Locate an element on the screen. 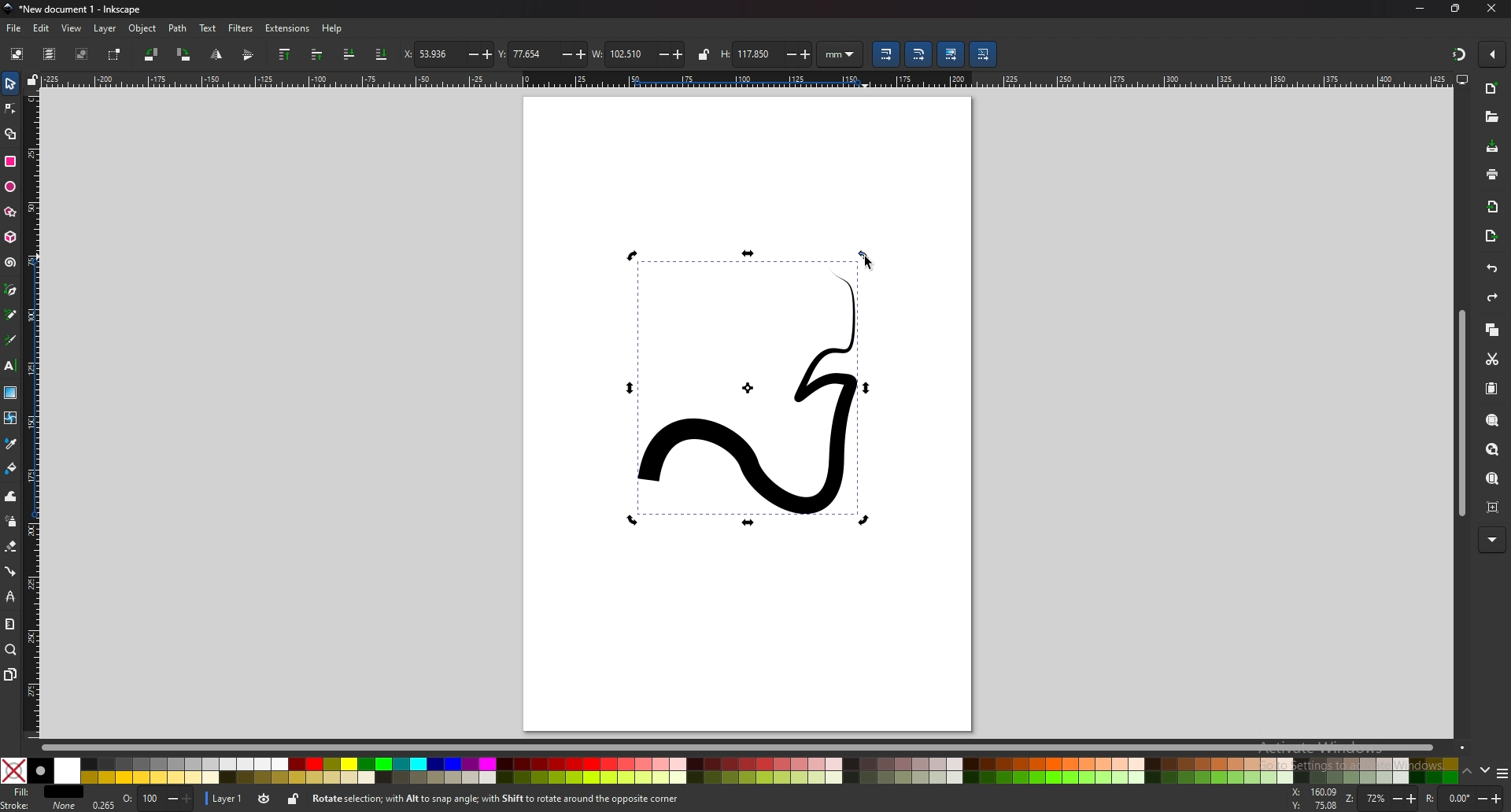 The image size is (1511, 812). scale stroke is located at coordinates (885, 54).